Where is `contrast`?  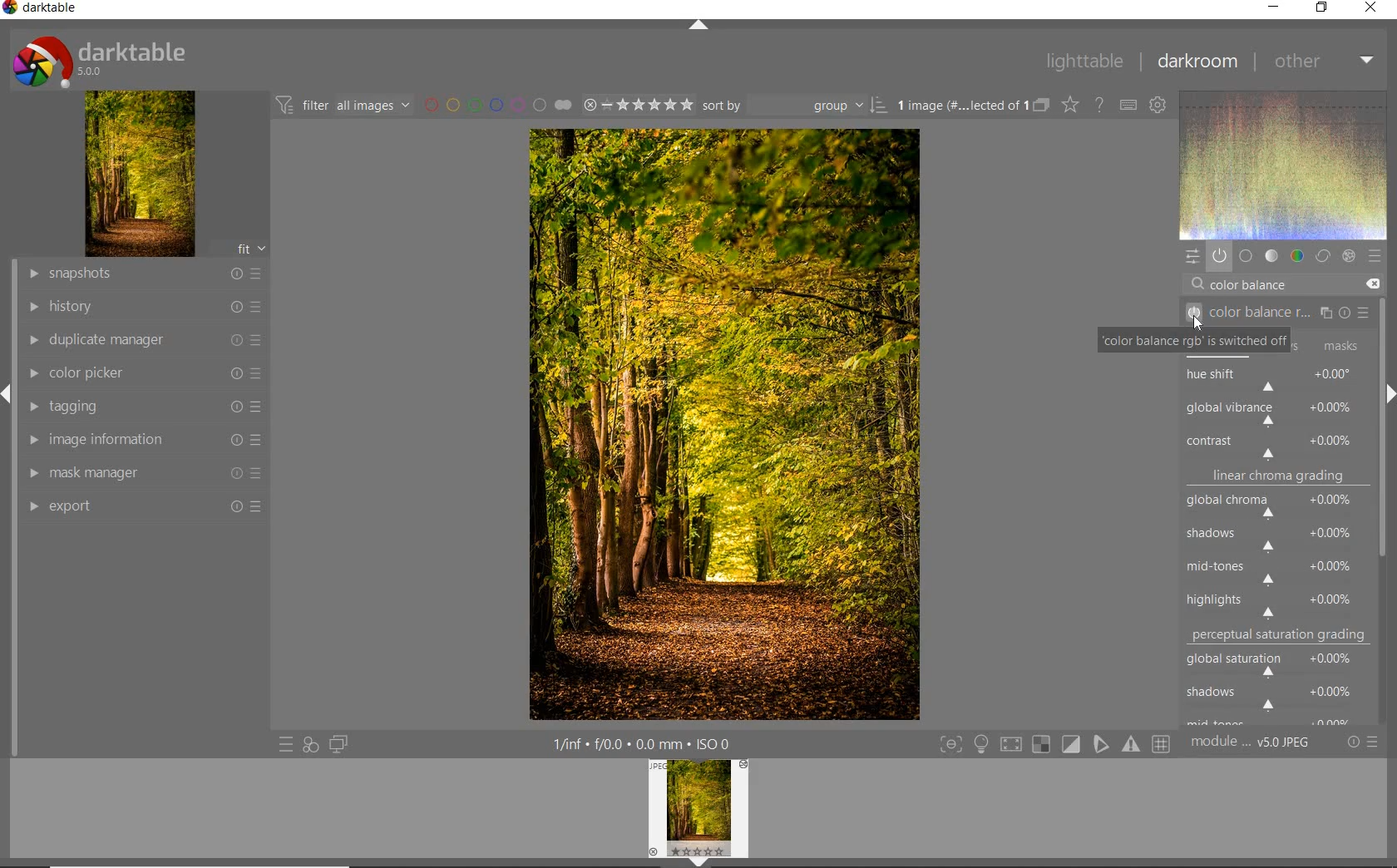 contrast is located at coordinates (1276, 445).